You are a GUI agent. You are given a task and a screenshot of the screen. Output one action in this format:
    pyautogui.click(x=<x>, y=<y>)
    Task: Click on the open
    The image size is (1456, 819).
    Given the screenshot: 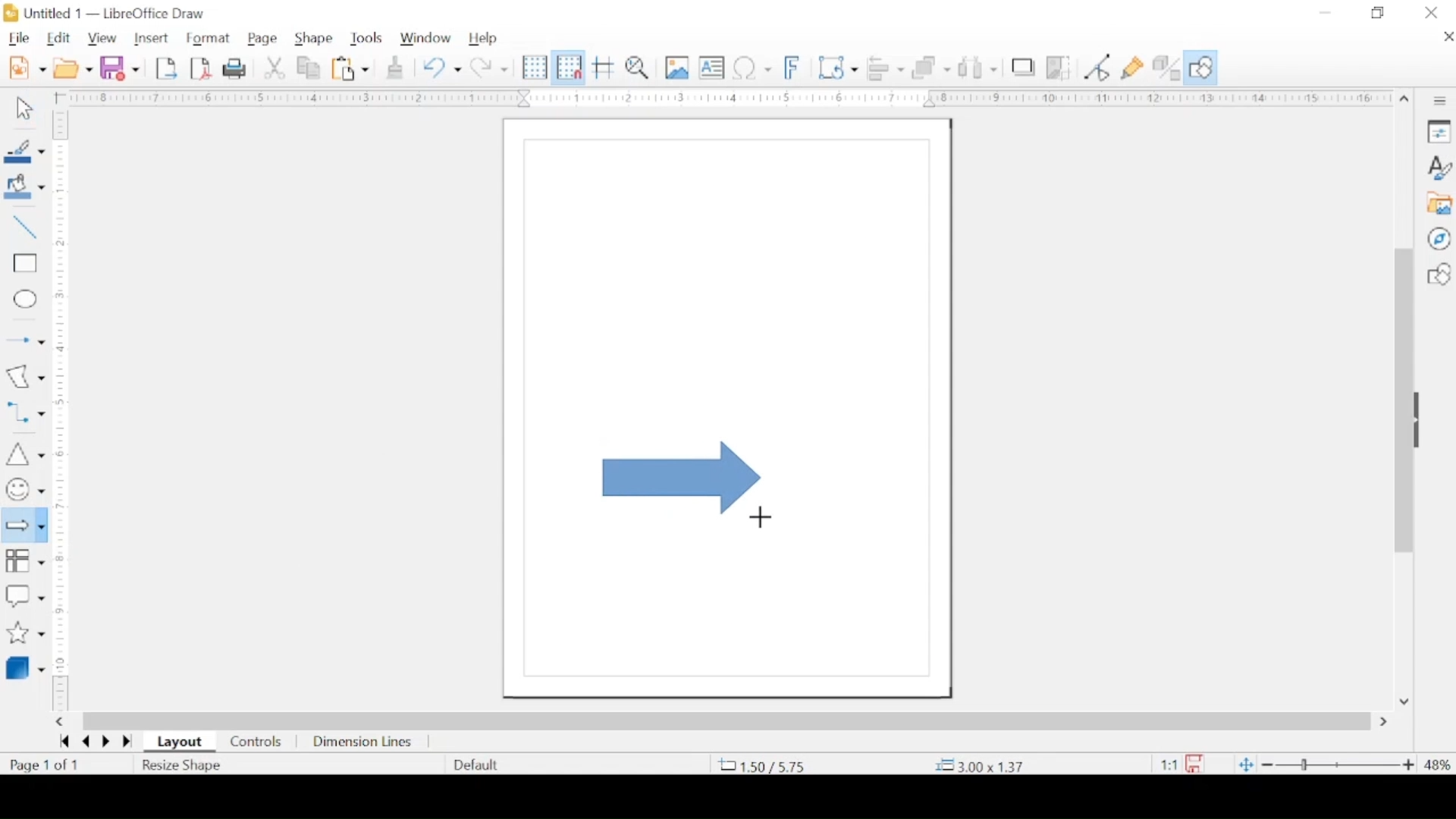 What is the action you would take?
    pyautogui.click(x=73, y=67)
    